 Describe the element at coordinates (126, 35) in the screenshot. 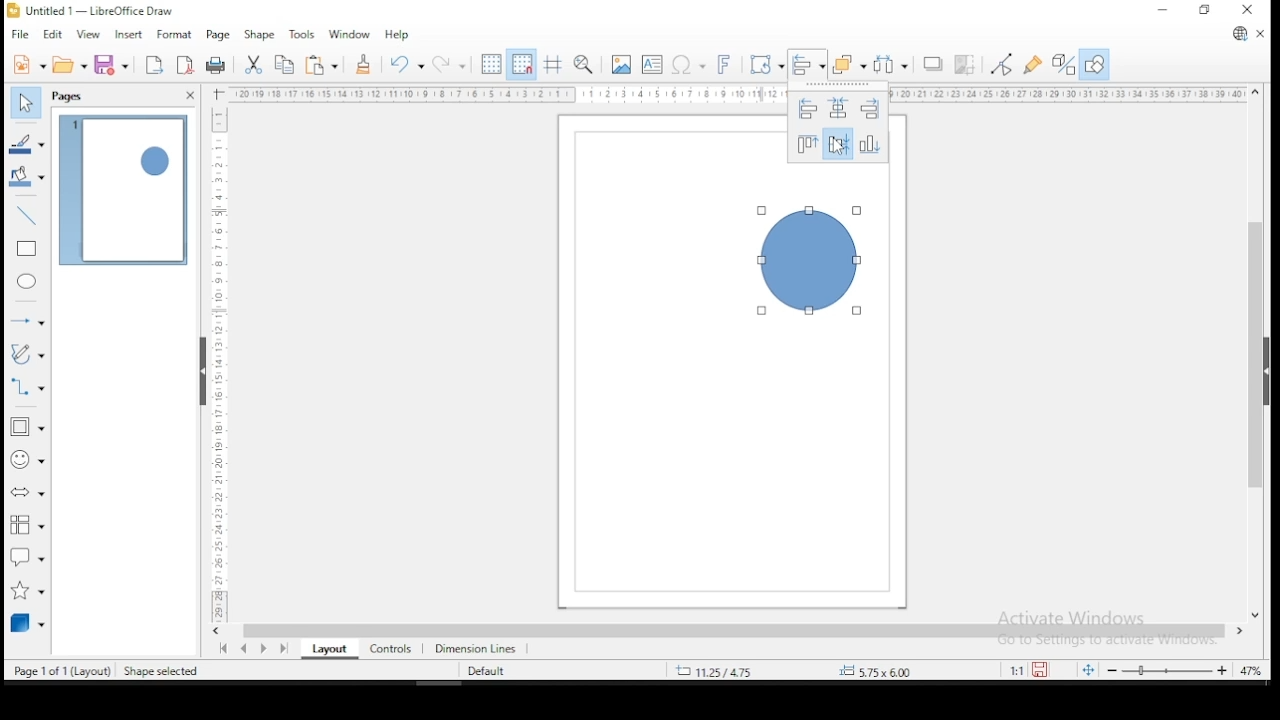

I see `insert` at that location.